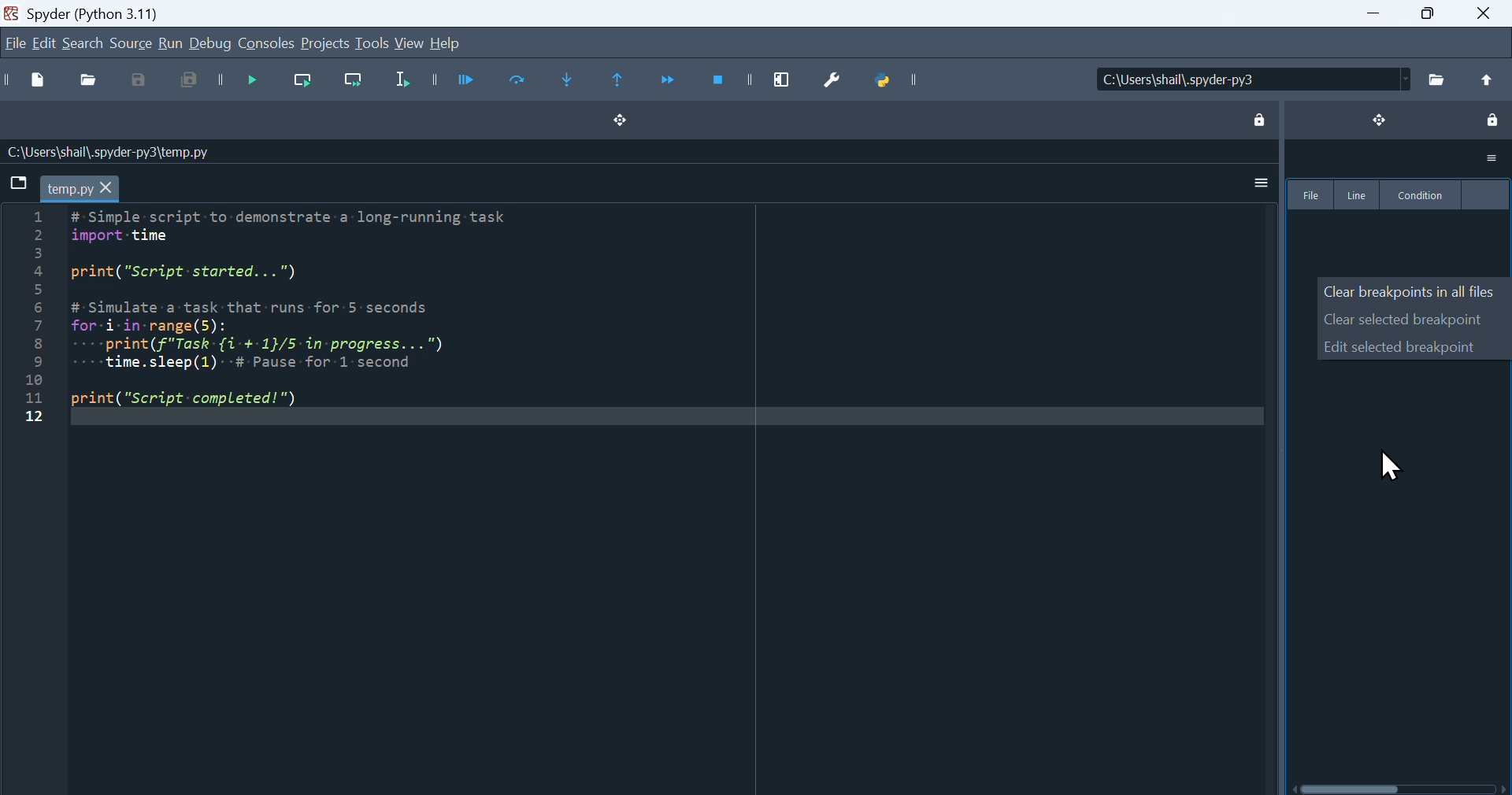  What do you see at coordinates (721, 83) in the screenshot?
I see `Stop debugging` at bounding box center [721, 83].